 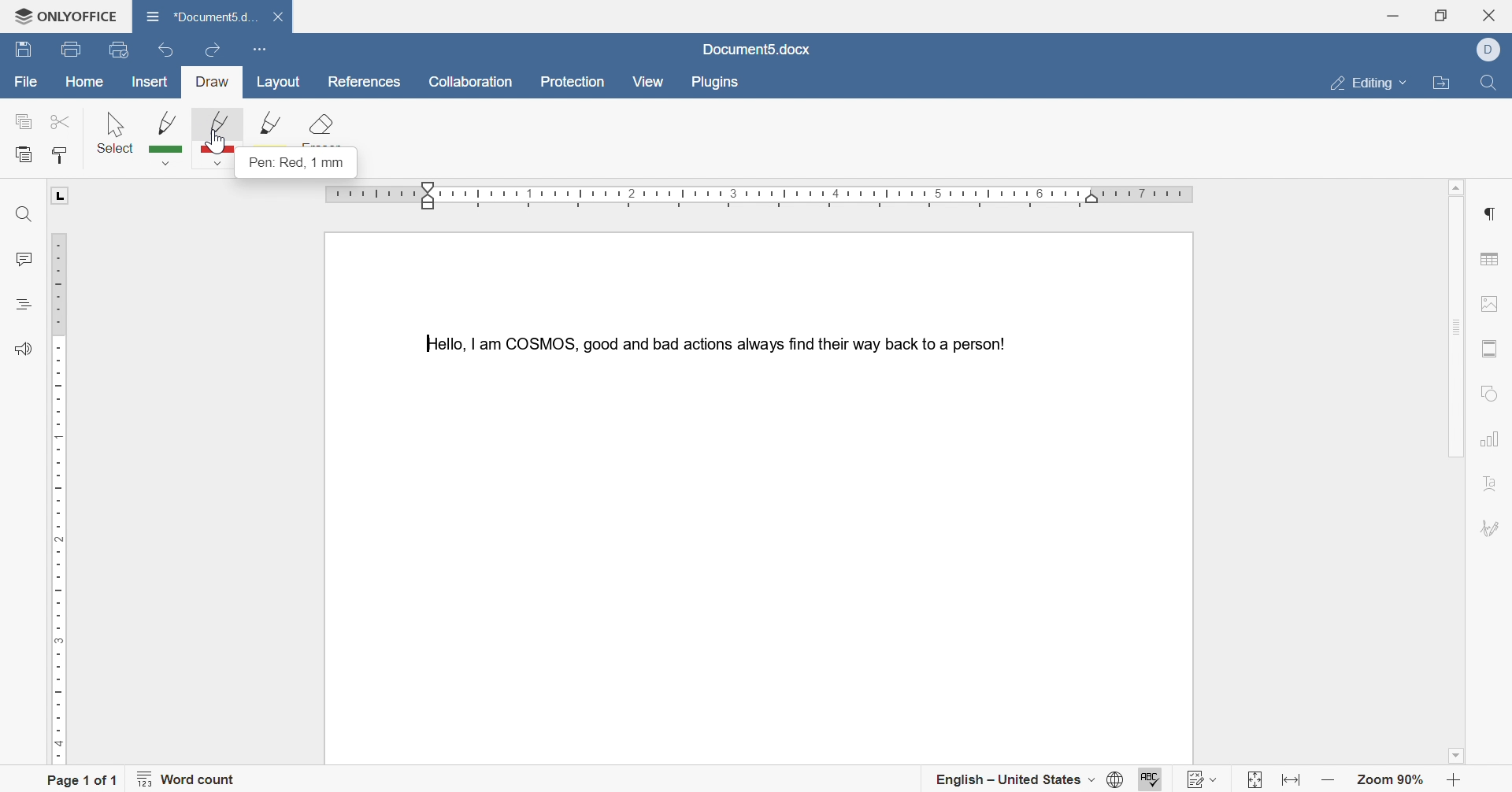 What do you see at coordinates (57, 120) in the screenshot?
I see `cut` at bounding box center [57, 120].